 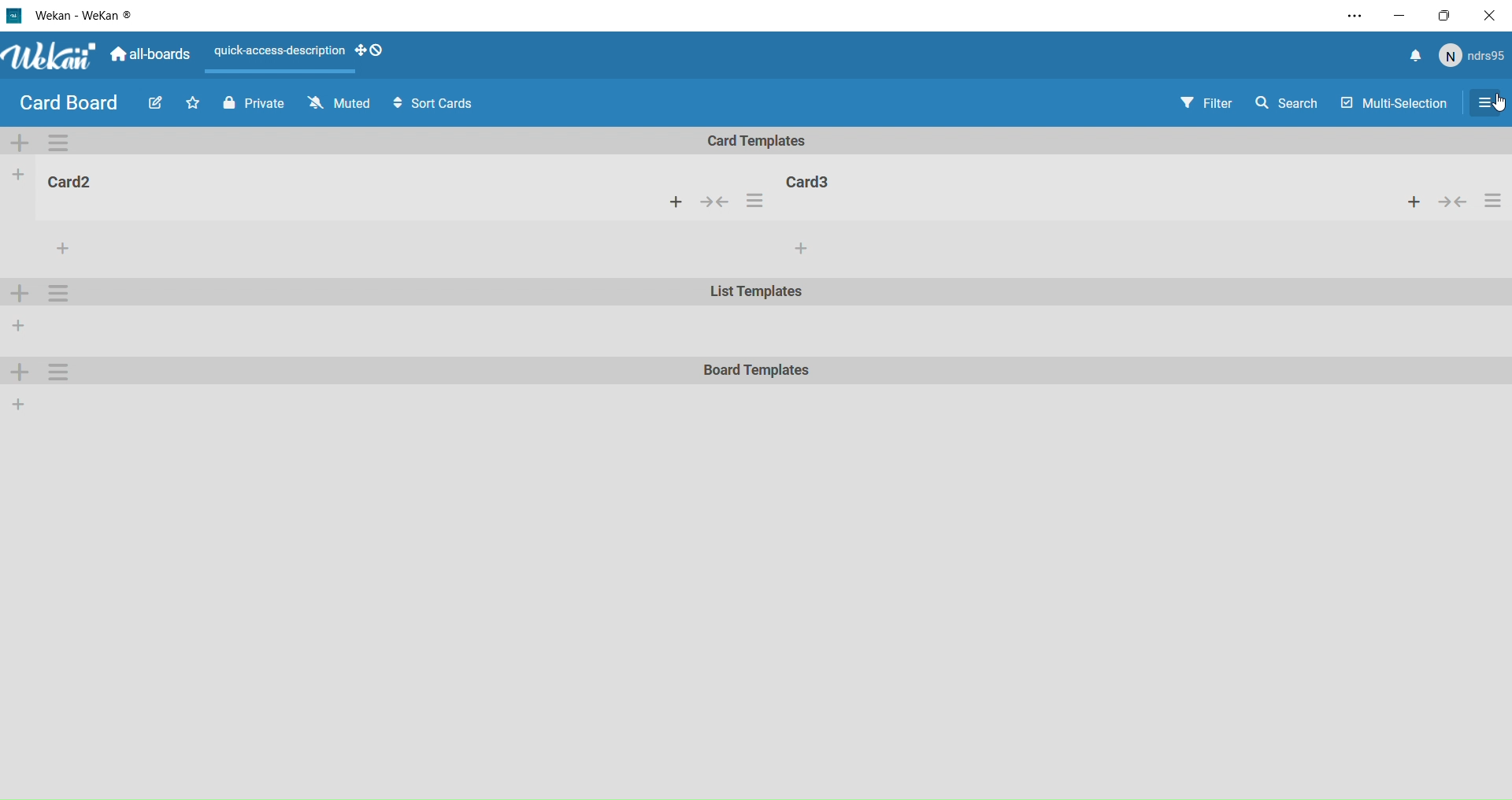 What do you see at coordinates (800, 249) in the screenshot?
I see `add` at bounding box center [800, 249].